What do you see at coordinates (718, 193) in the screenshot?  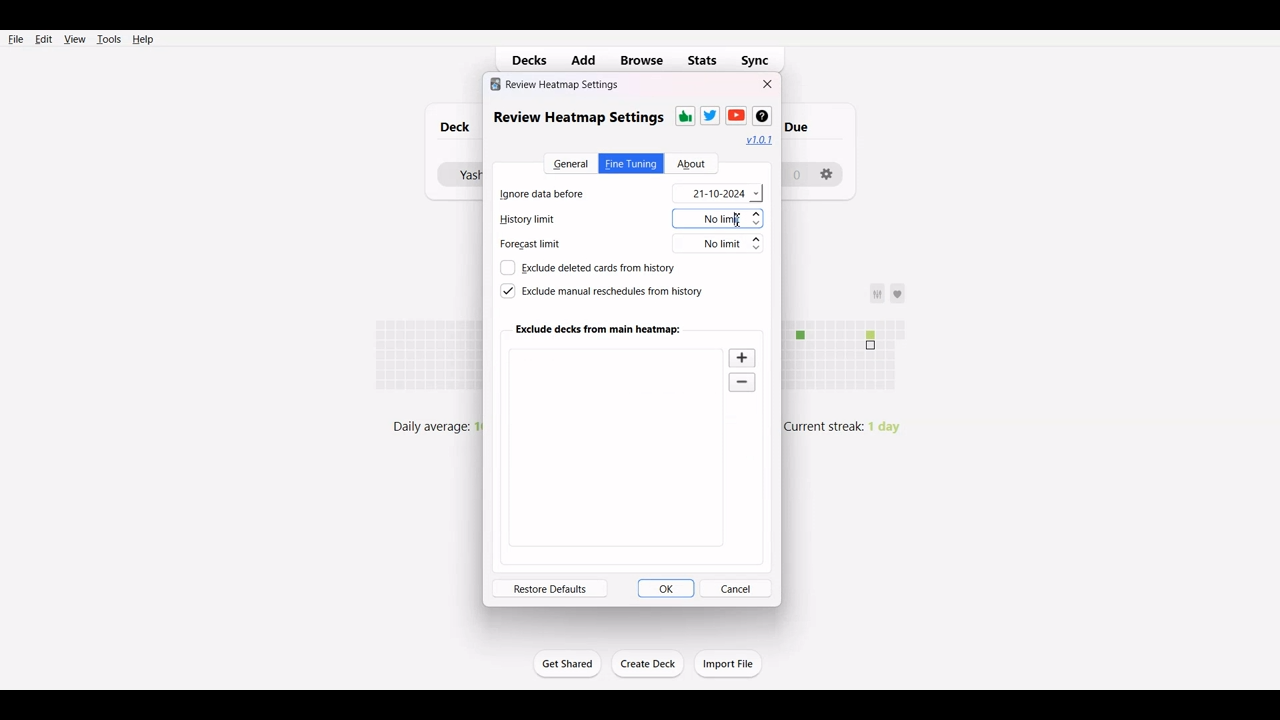 I see `21-10-2024 ` at bounding box center [718, 193].